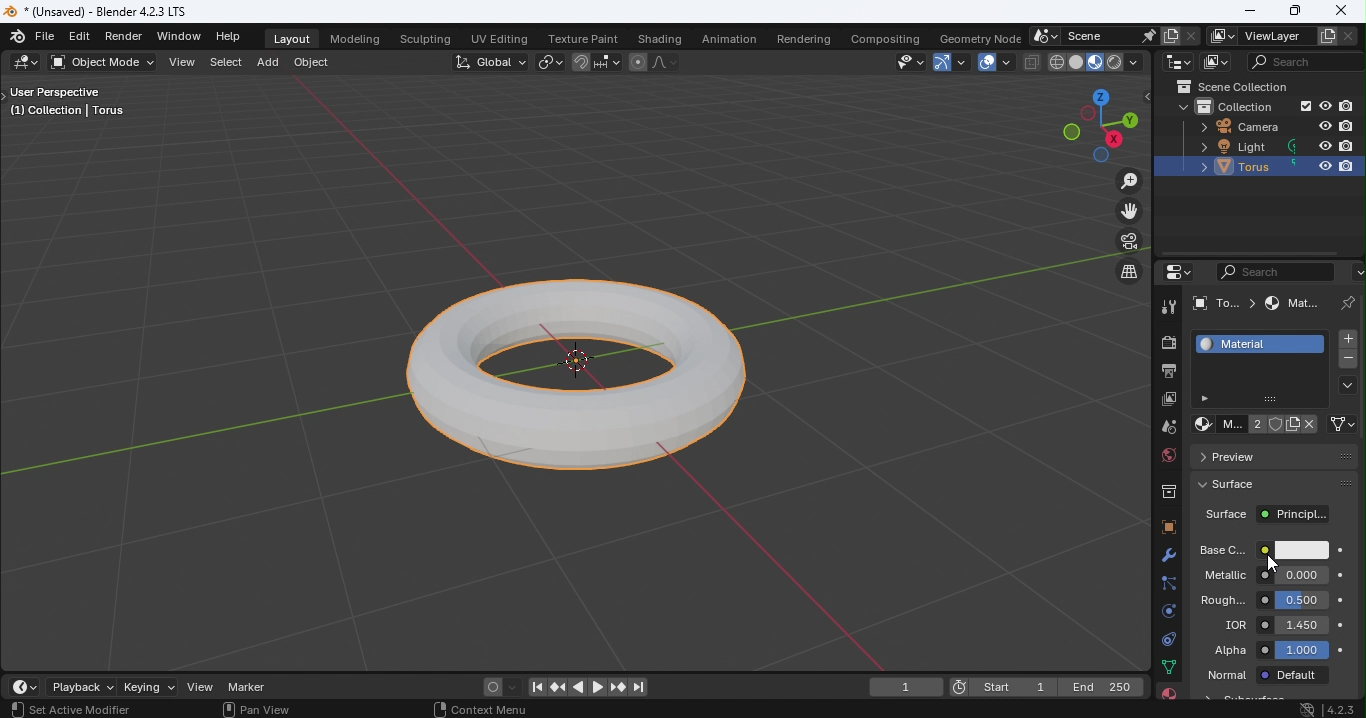 The width and height of the screenshot is (1366, 718). What do you see at coordinates (804, 37) in the screenshot?
I see `Rendering` at bounding box center [804, 37].